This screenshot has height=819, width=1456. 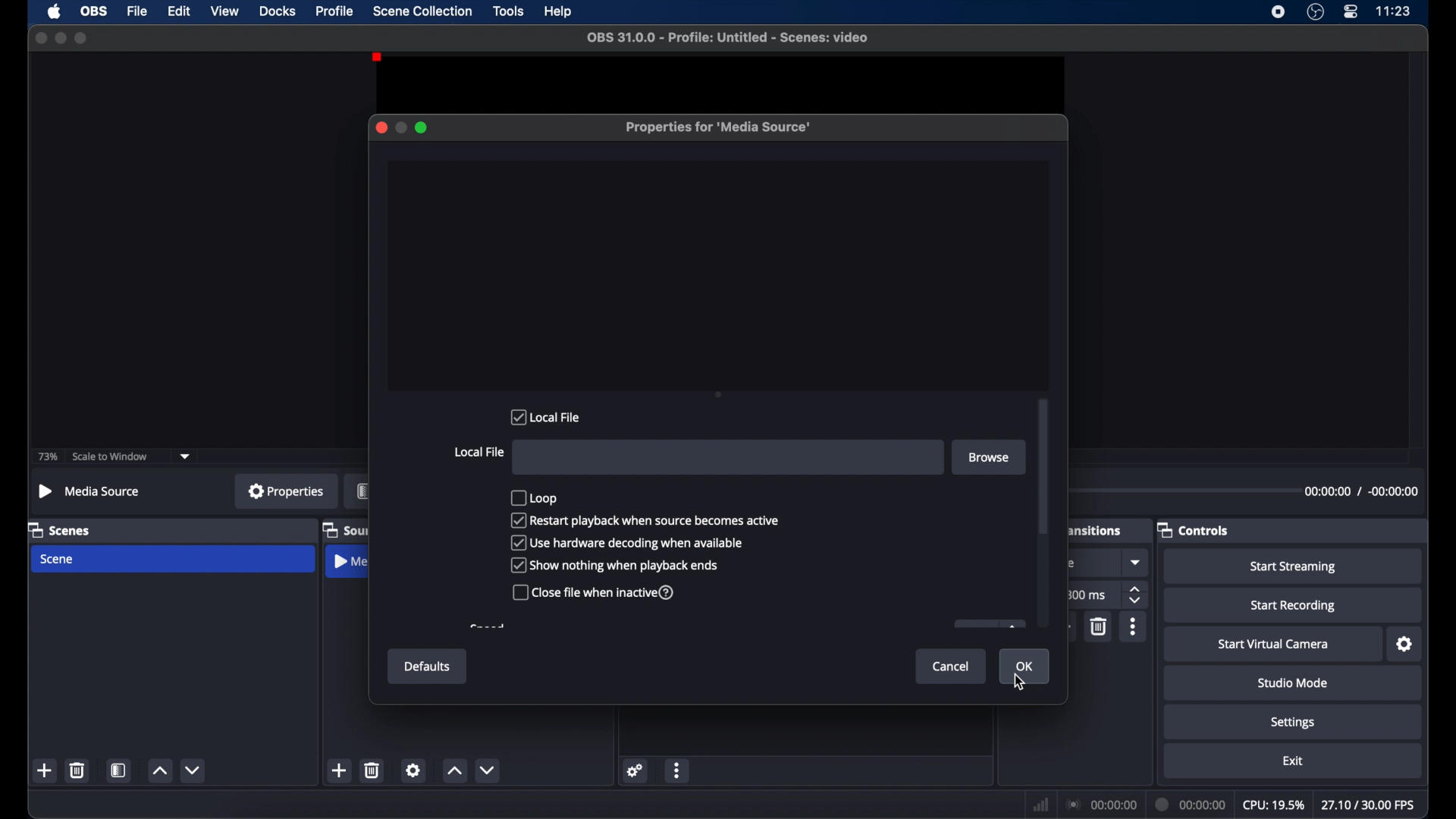 What do you see at coordinates (989, 457) in the screenshot?
I see `browse` at bounding box center [989, 457].